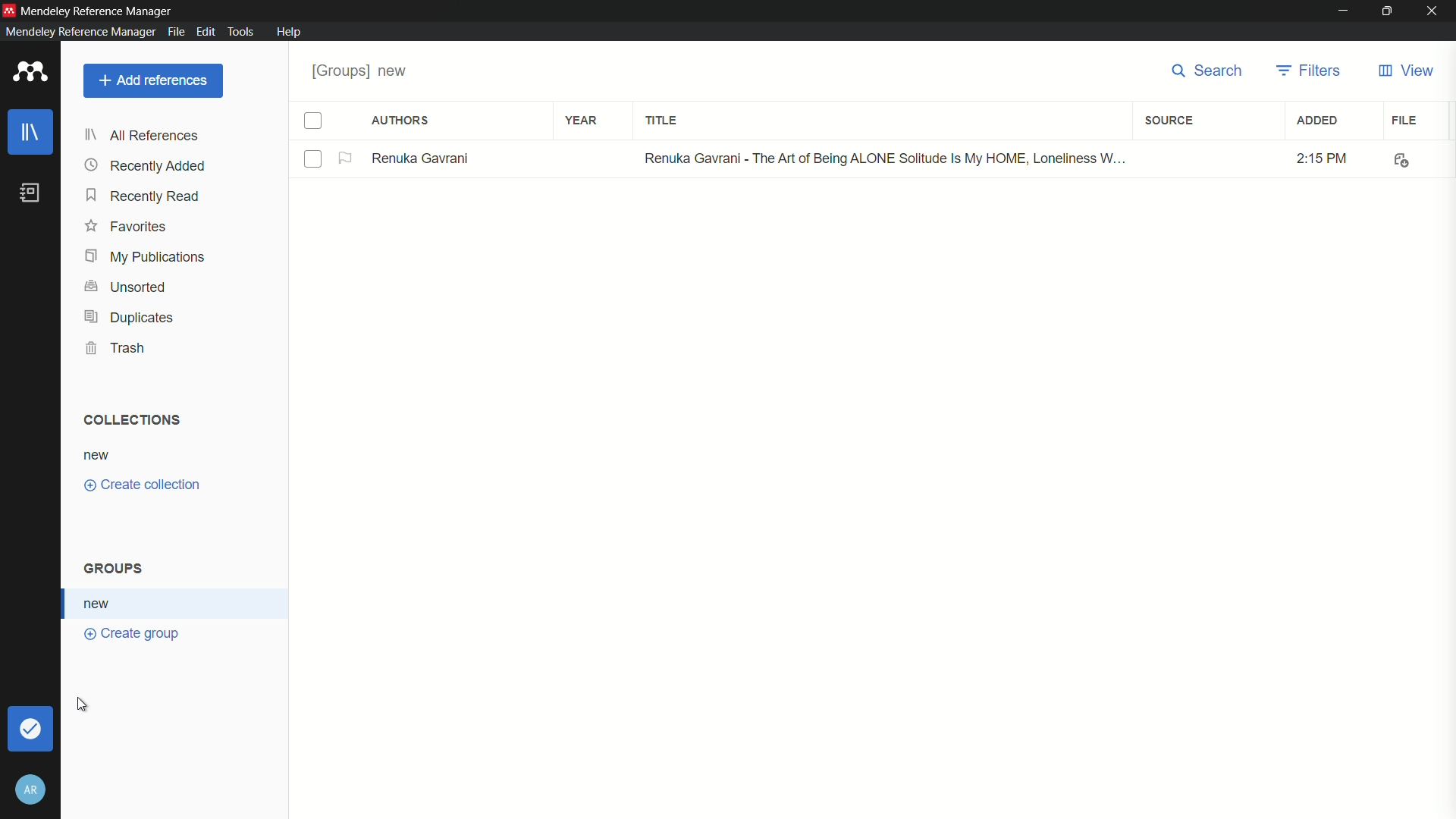  What do you see at coordinates (101, 455) in the screenshot?
I see `new` at bounding box center [101, 455].